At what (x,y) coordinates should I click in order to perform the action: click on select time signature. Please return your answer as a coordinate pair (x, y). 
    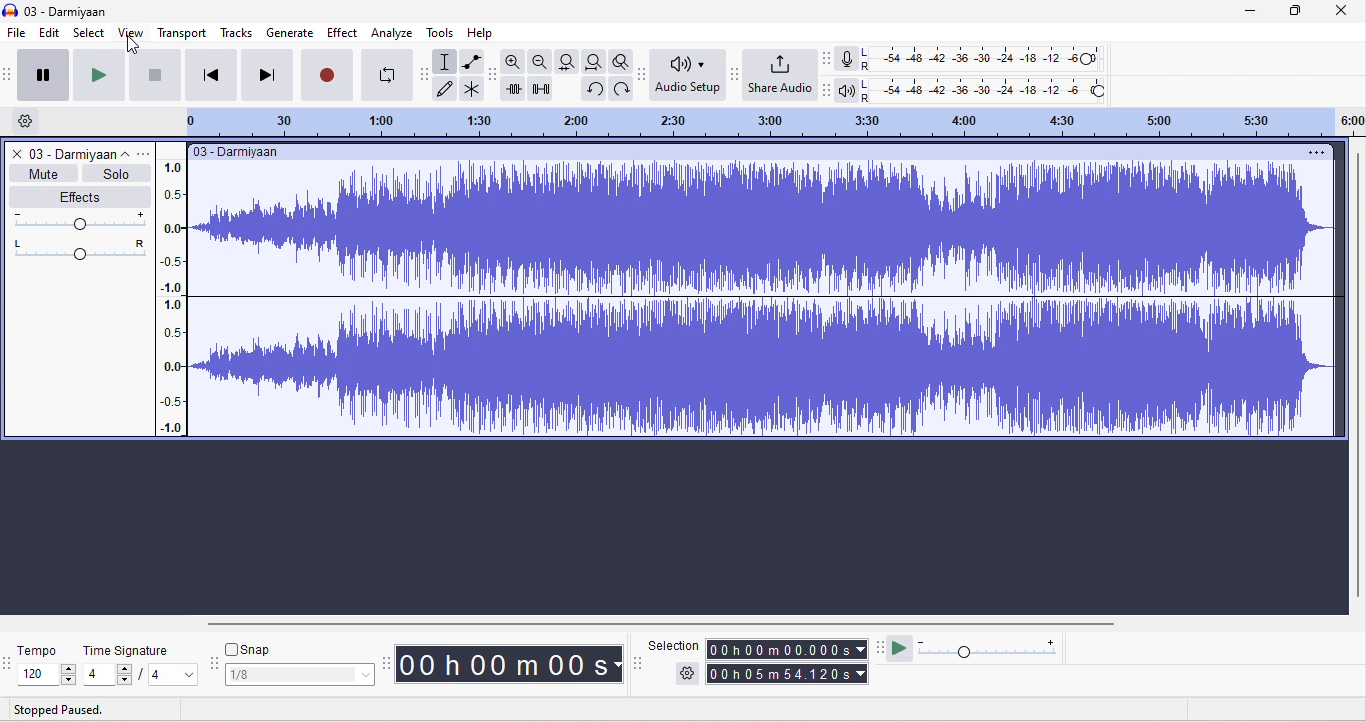
    Looking at the image, I should click on (141, 676).